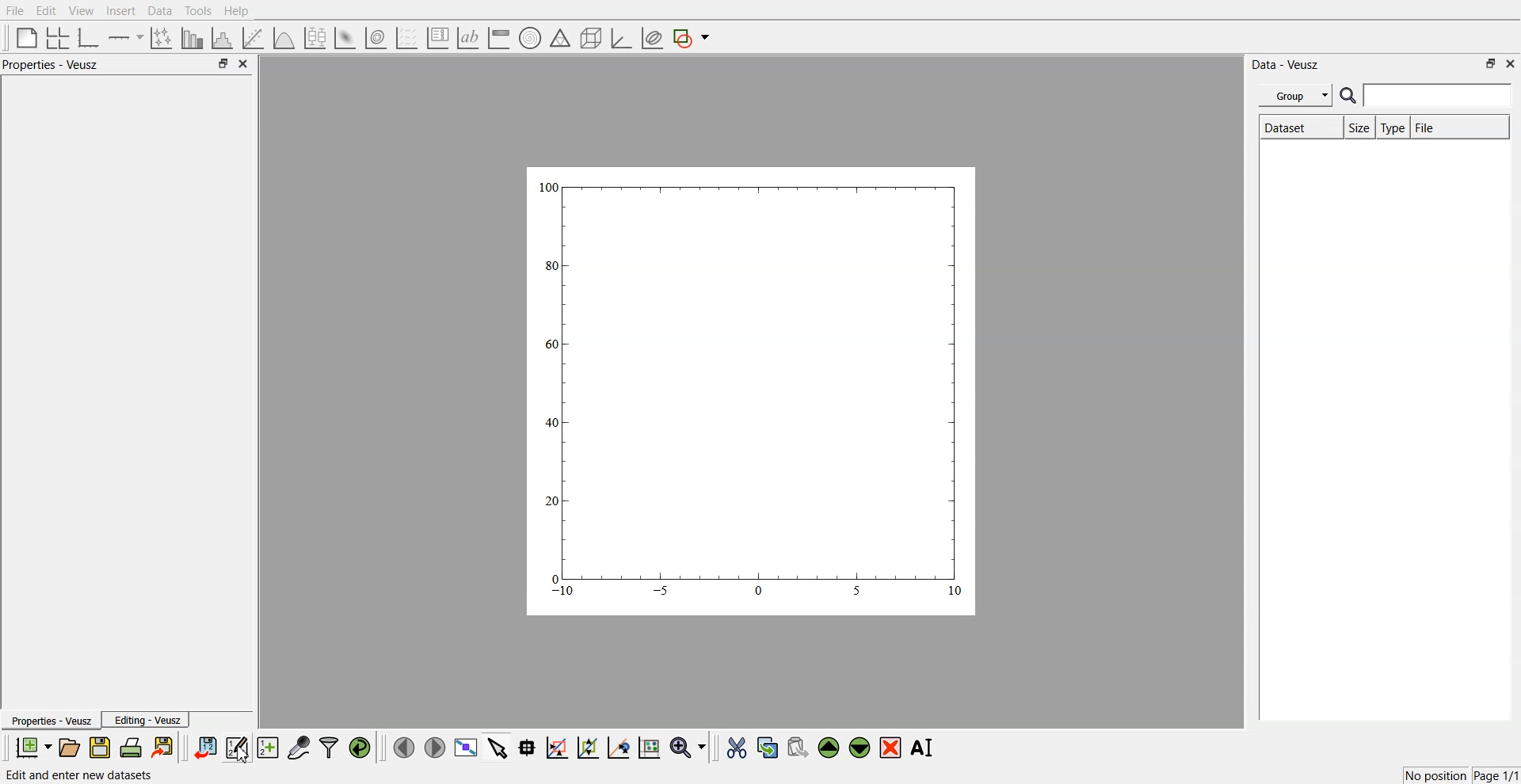  Describe the element at coordinates (90, 37) in the screenshot. I see `base graphs` at that location.